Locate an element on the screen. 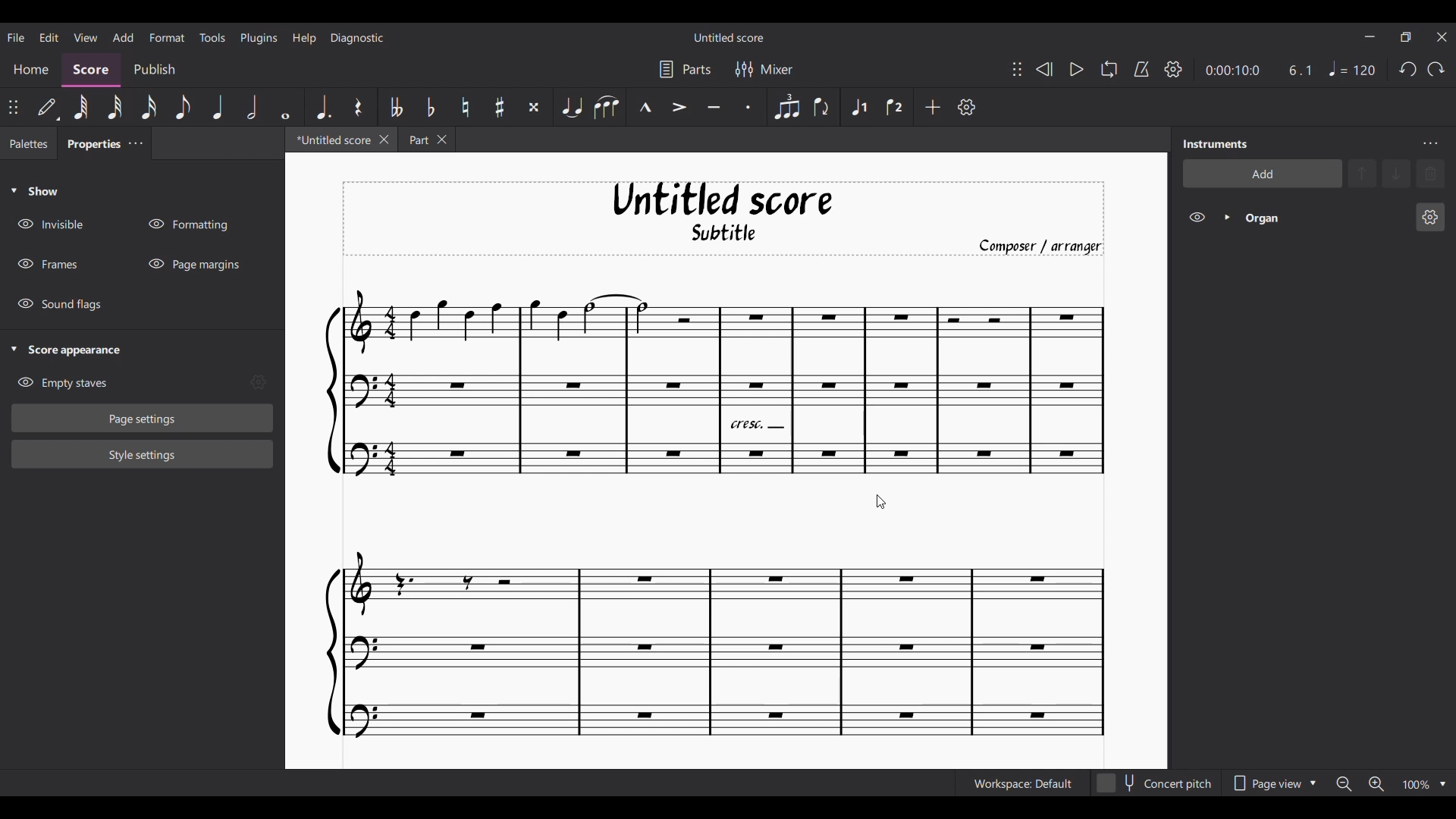  Workspace settings is located at coordinates (1021, 783).